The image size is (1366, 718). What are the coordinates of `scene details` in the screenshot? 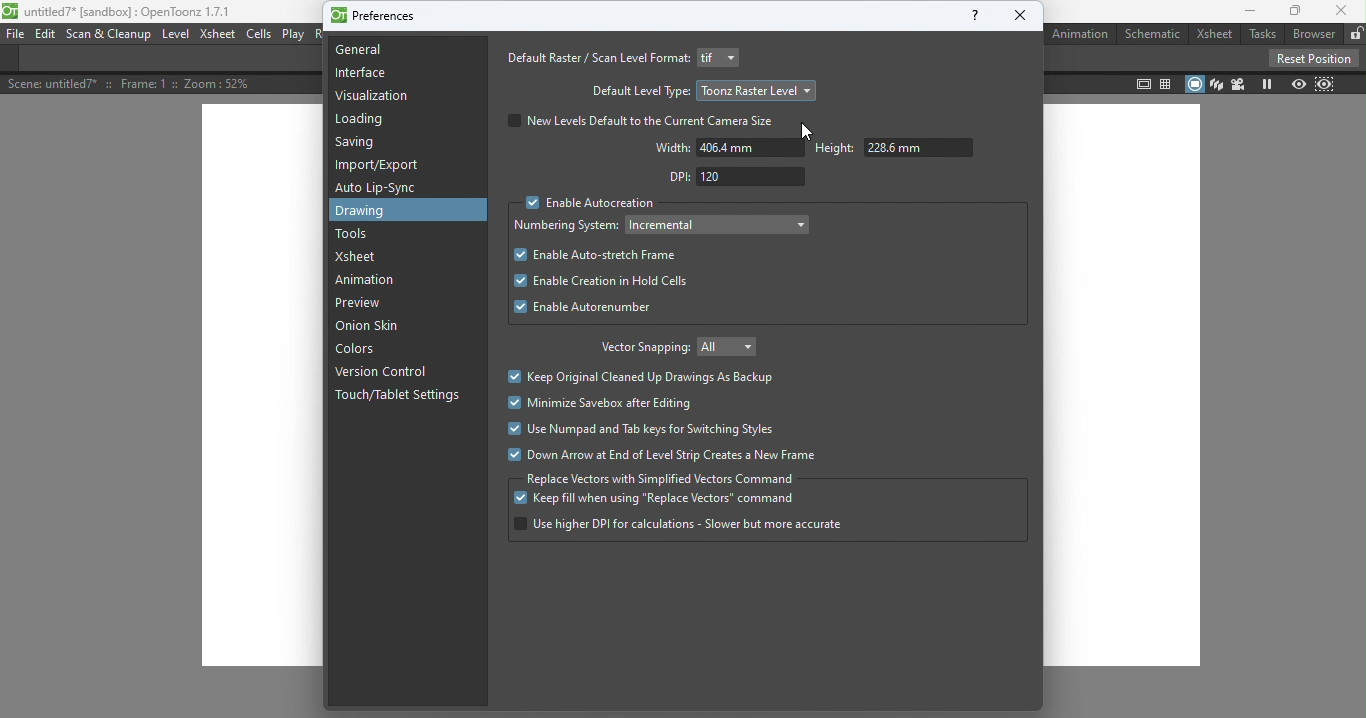 It's located at (141, 85).